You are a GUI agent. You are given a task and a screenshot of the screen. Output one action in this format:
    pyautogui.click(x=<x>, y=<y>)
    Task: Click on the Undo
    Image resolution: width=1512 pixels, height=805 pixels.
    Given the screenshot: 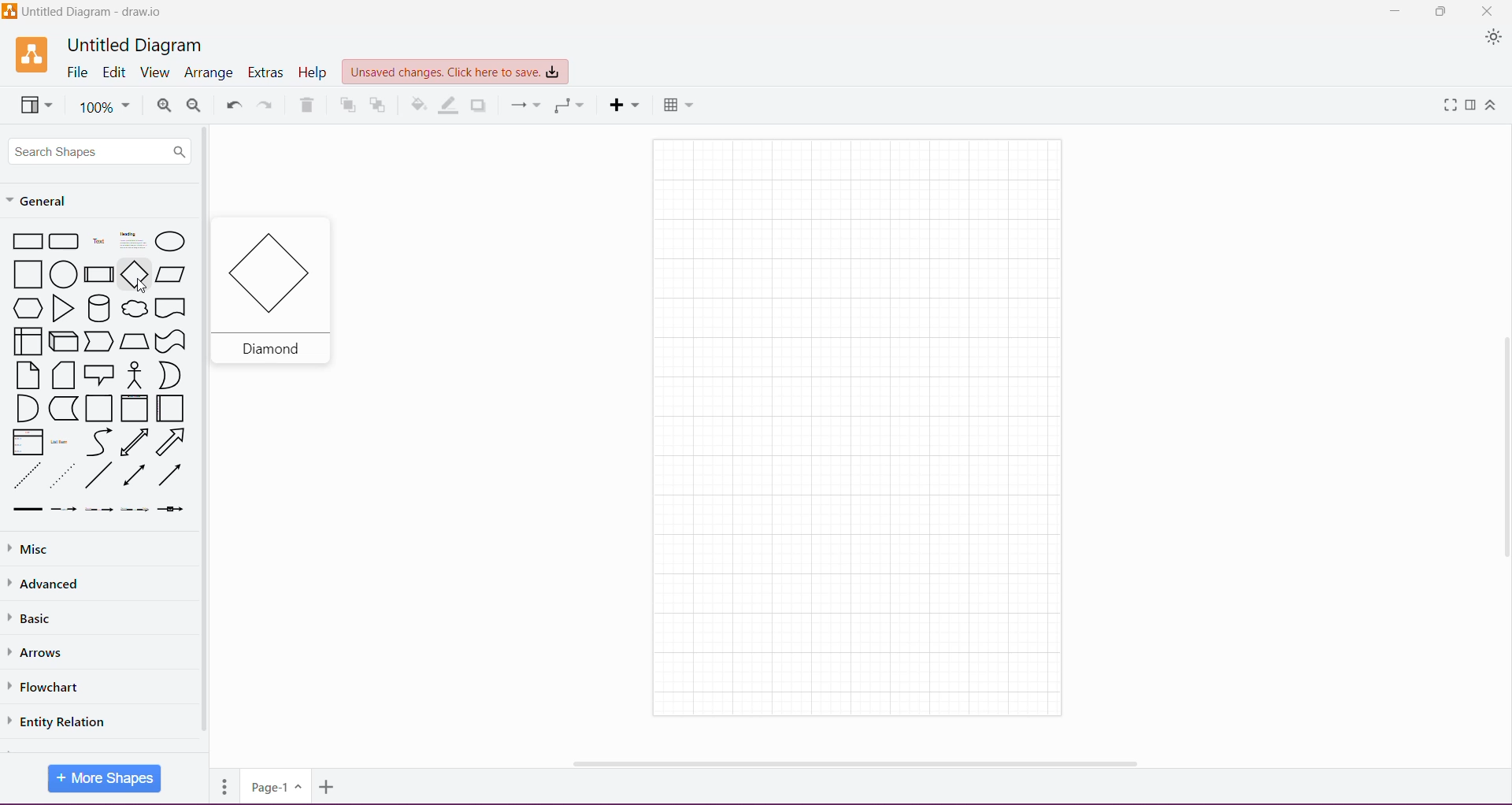 What is the action you would take?
    pyautogui.click(x=234, y=105)
    